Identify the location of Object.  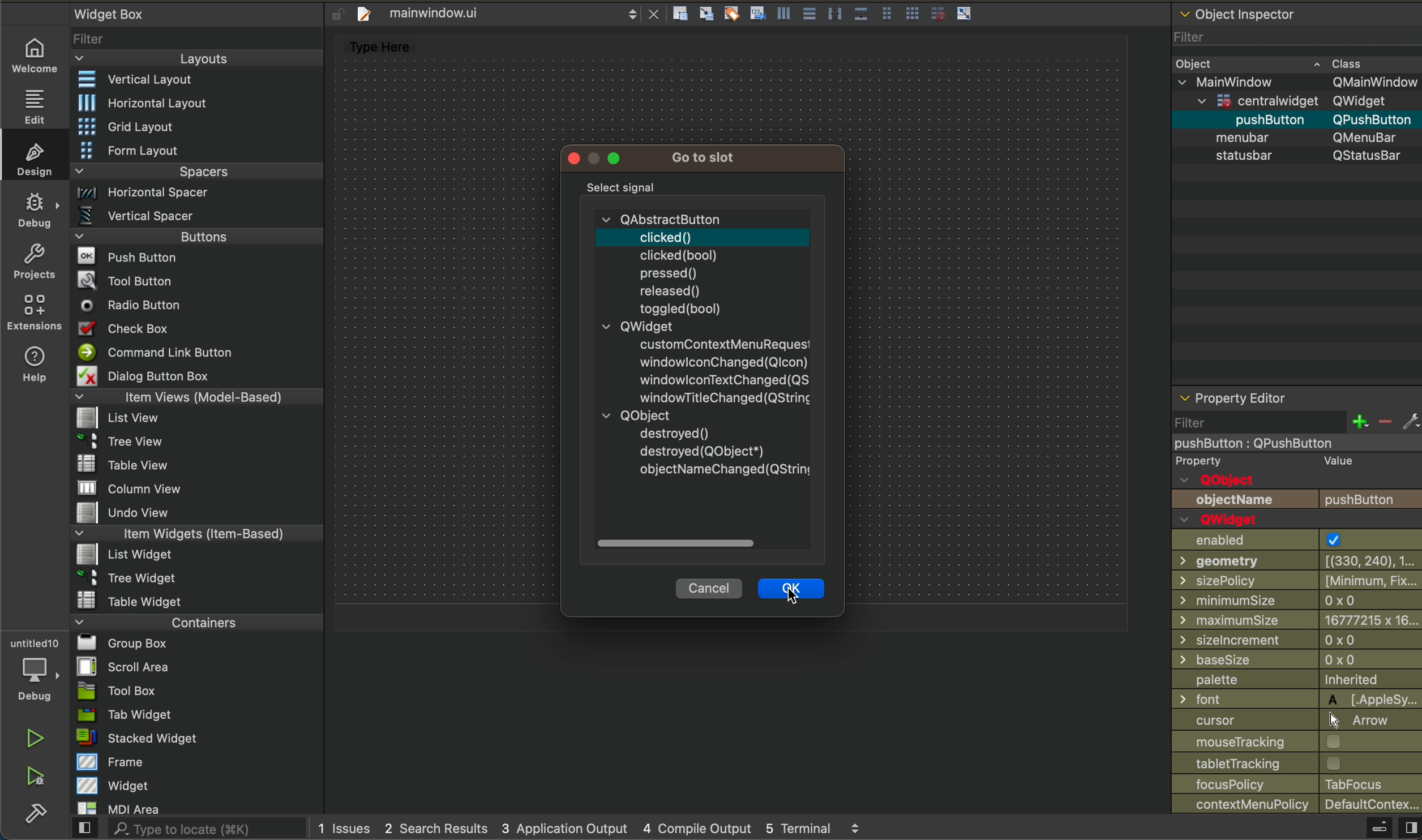
(1196, 64).